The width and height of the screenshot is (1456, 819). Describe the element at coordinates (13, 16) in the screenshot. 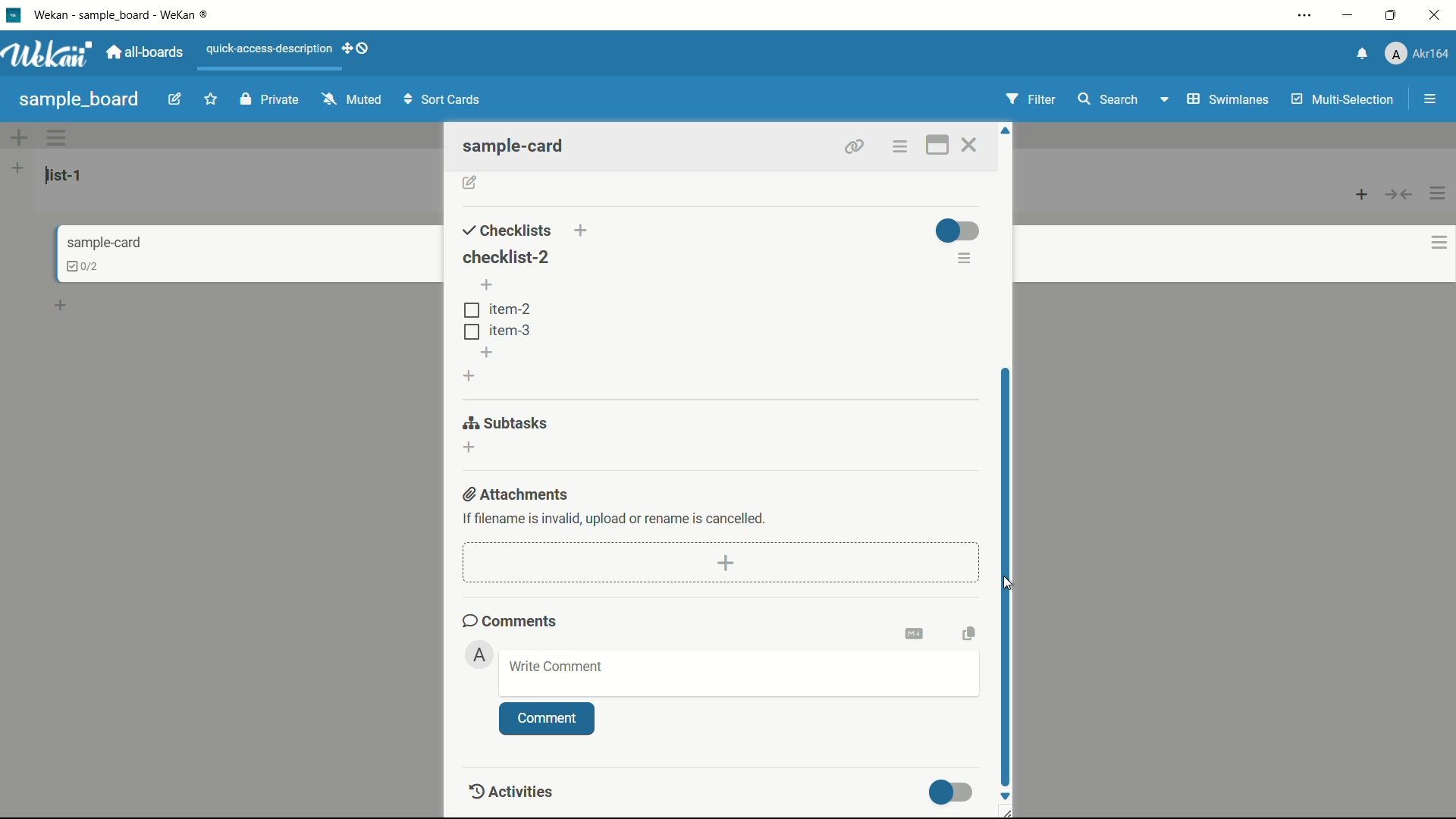

I see `app icon` at that location.